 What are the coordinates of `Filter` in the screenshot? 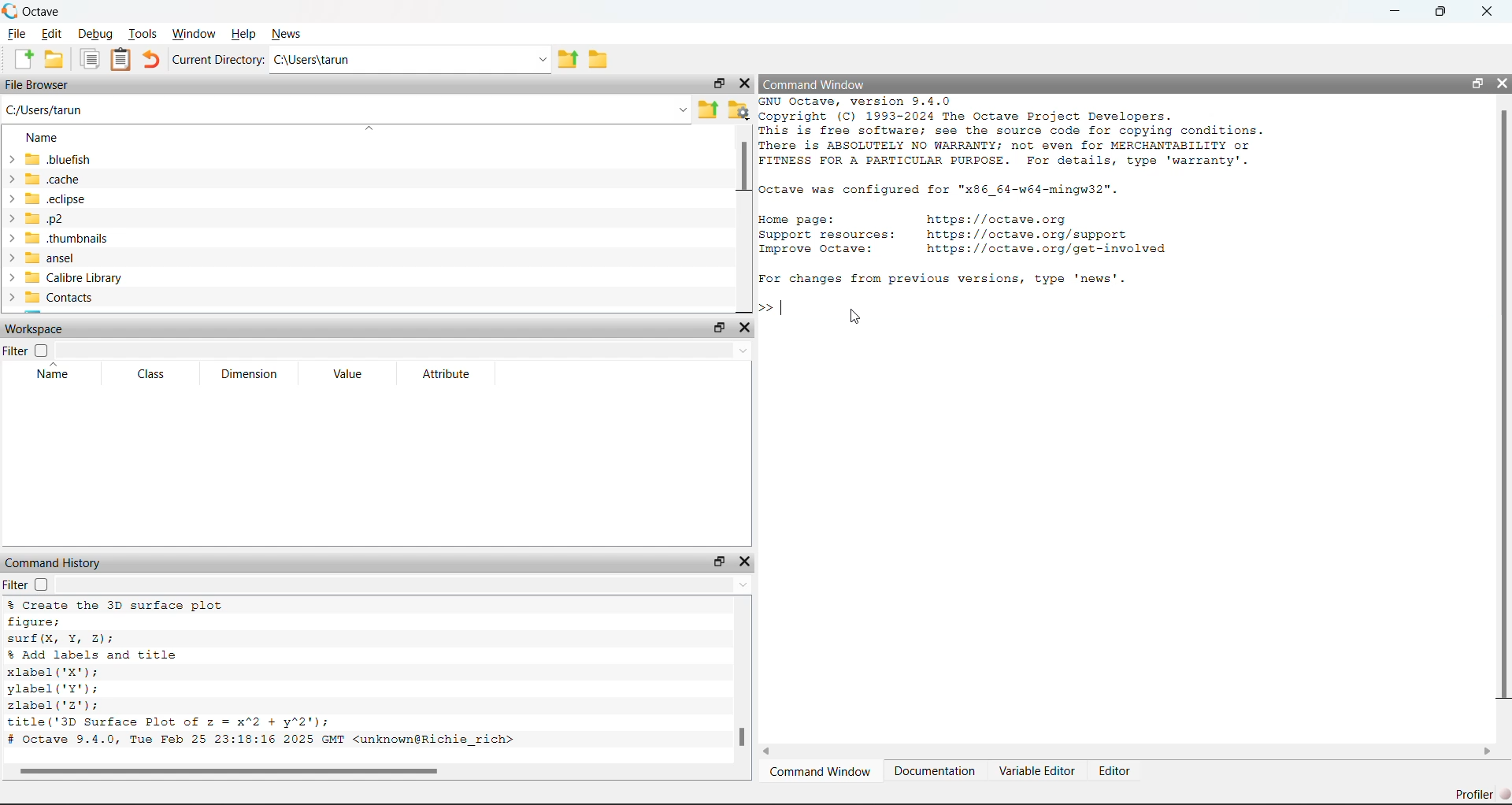 It's located at (15, 351).